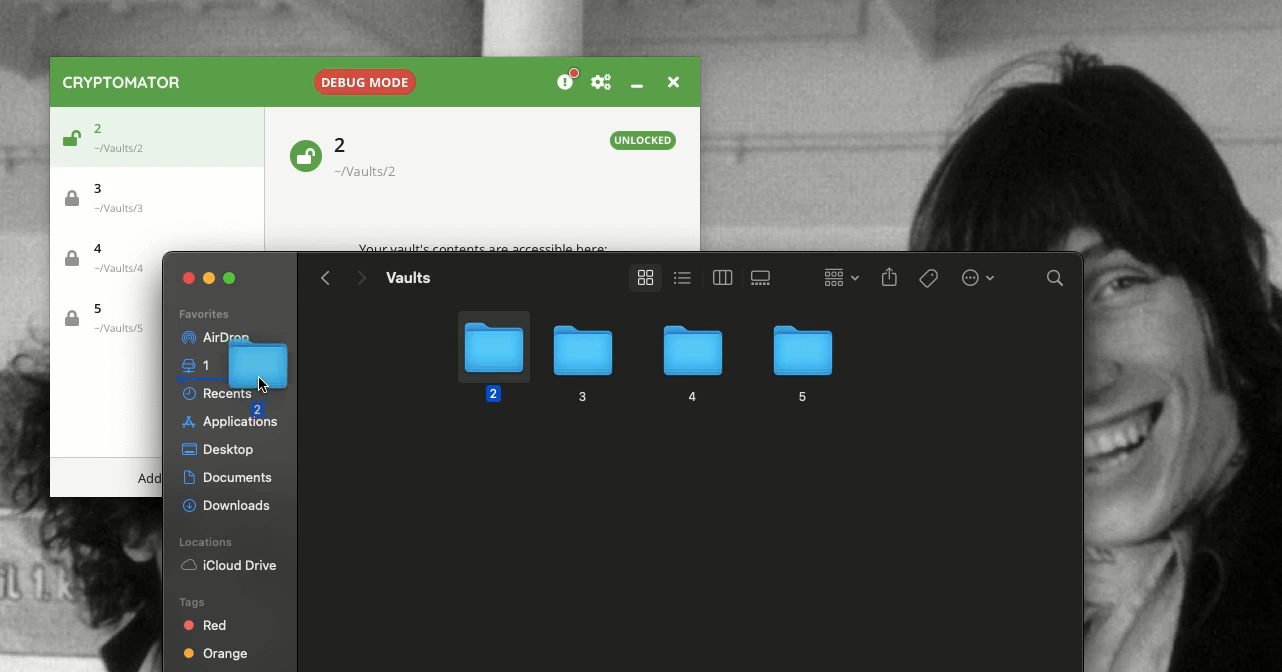 The width and height of the screenshot is (1282, 672). I want to click on Documents, so click(231, 478).